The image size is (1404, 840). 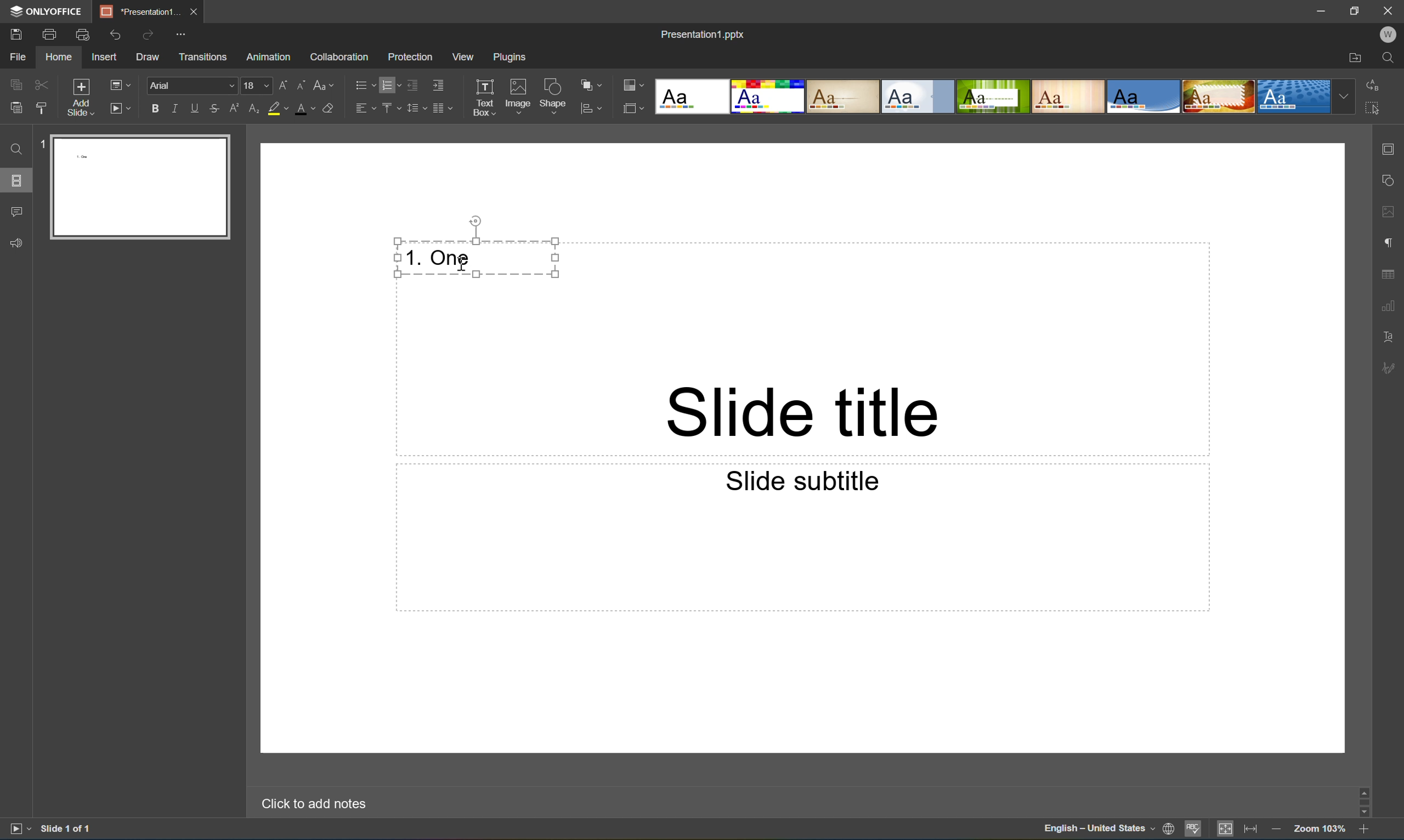 I want to click on Arrange shape, so click(x=591, y=82).